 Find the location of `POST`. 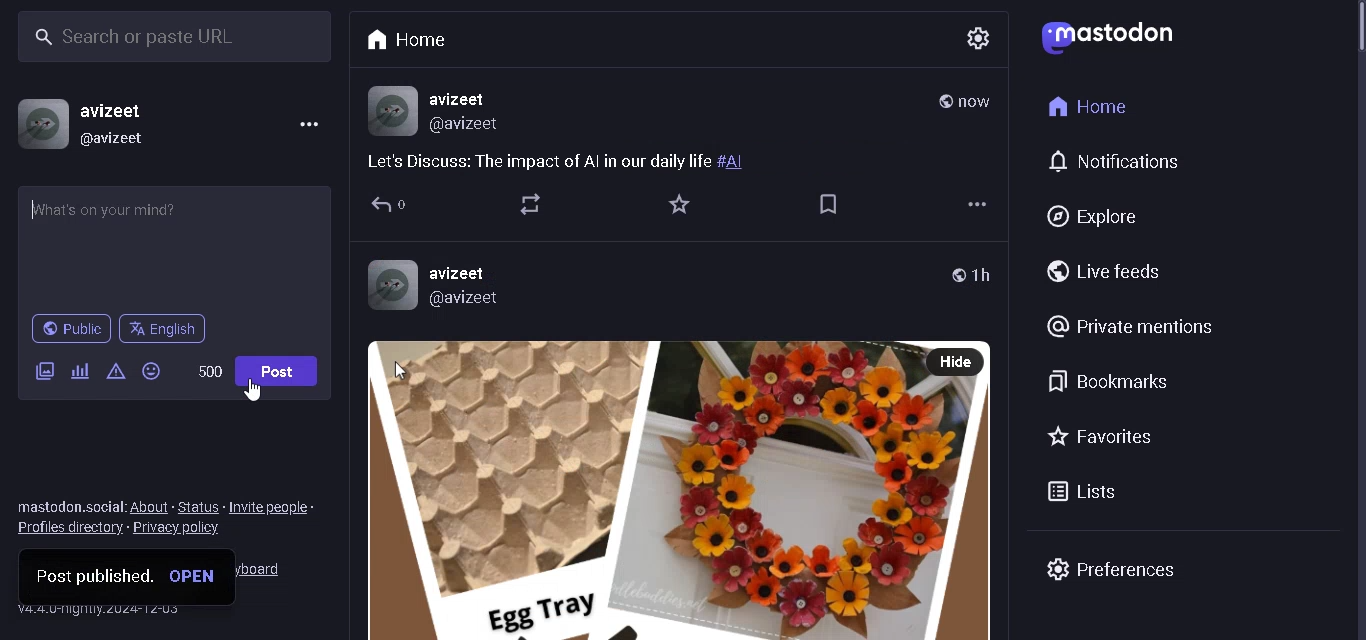

POST is located at coordinates (283, 371).